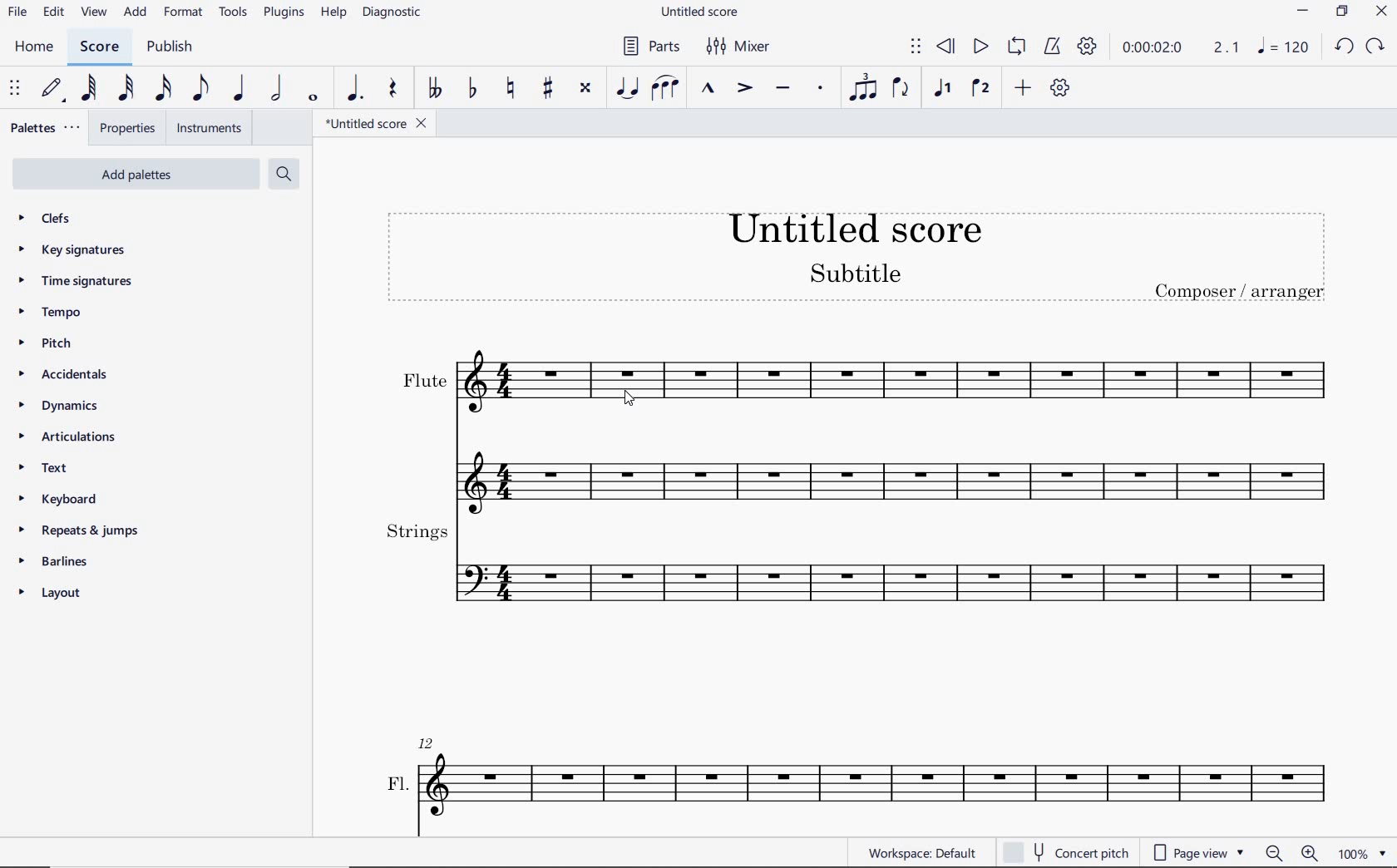  What do you see at coordinates (664, 87) in the screenshot?
I see `SLUR` at bounding box center [664, 87].